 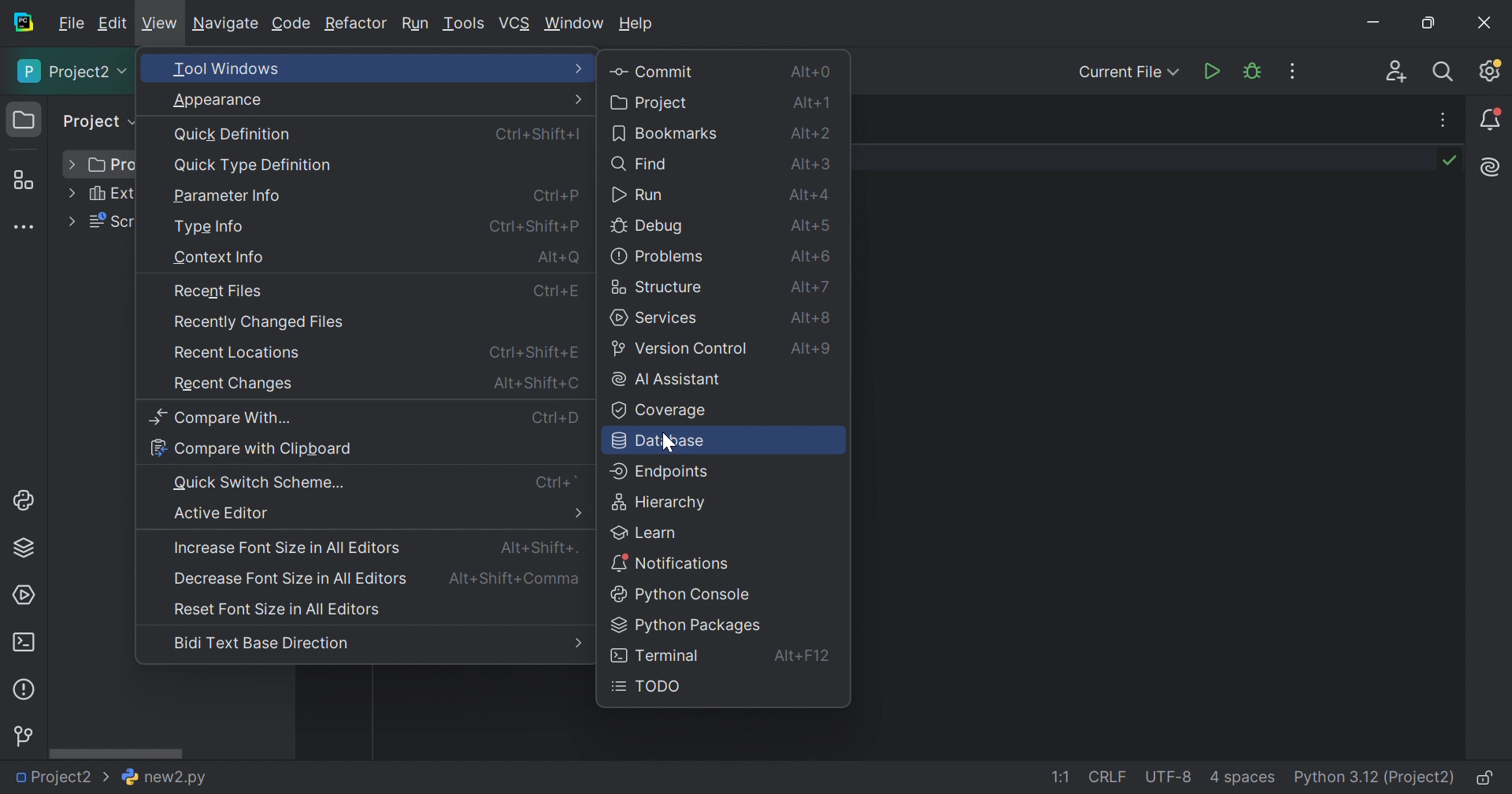 I want to click on File, so click(x=71, y=24).